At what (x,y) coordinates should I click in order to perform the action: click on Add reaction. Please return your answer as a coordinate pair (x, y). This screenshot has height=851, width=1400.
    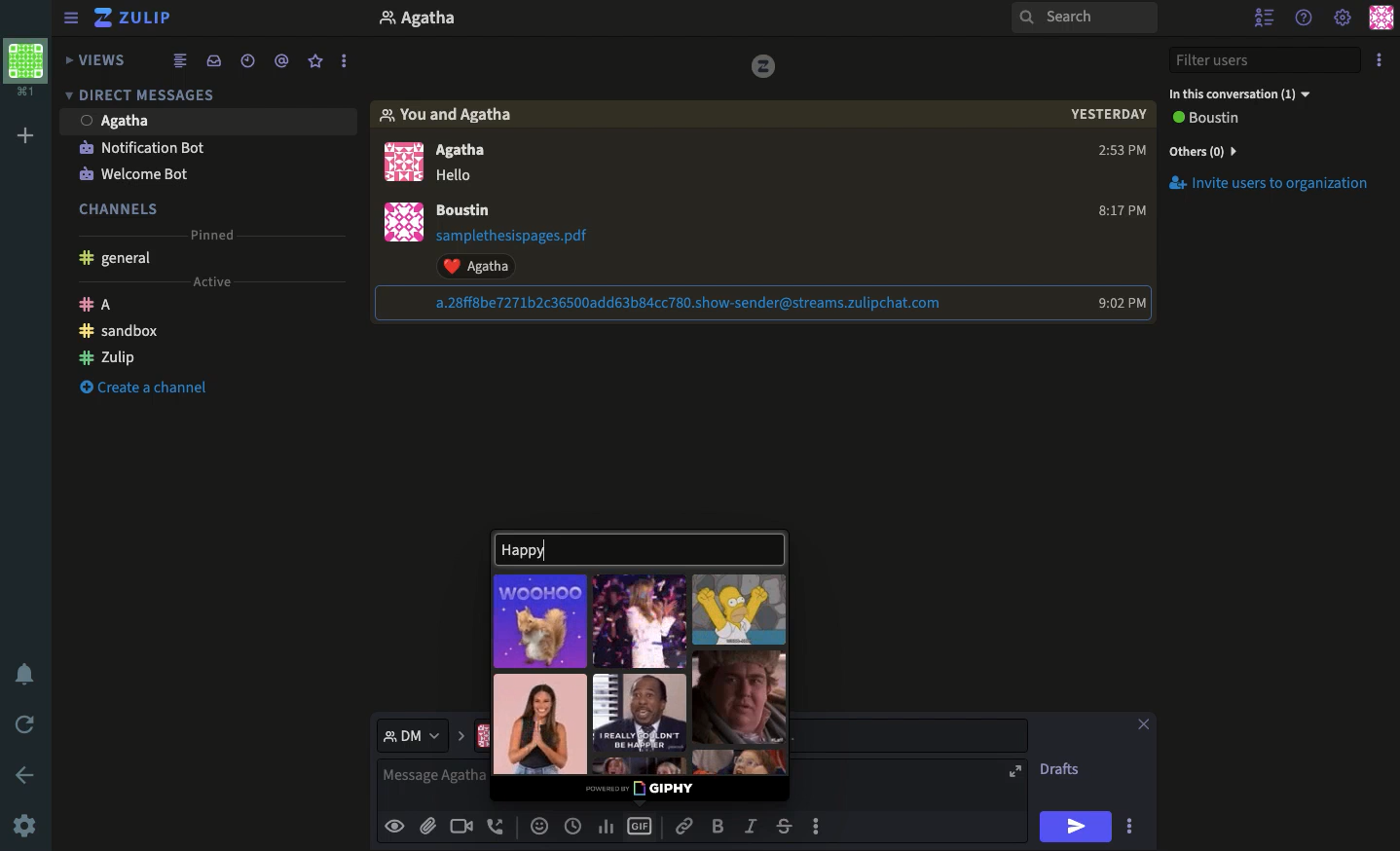
    Looking at the image, I should click on (541, 825).